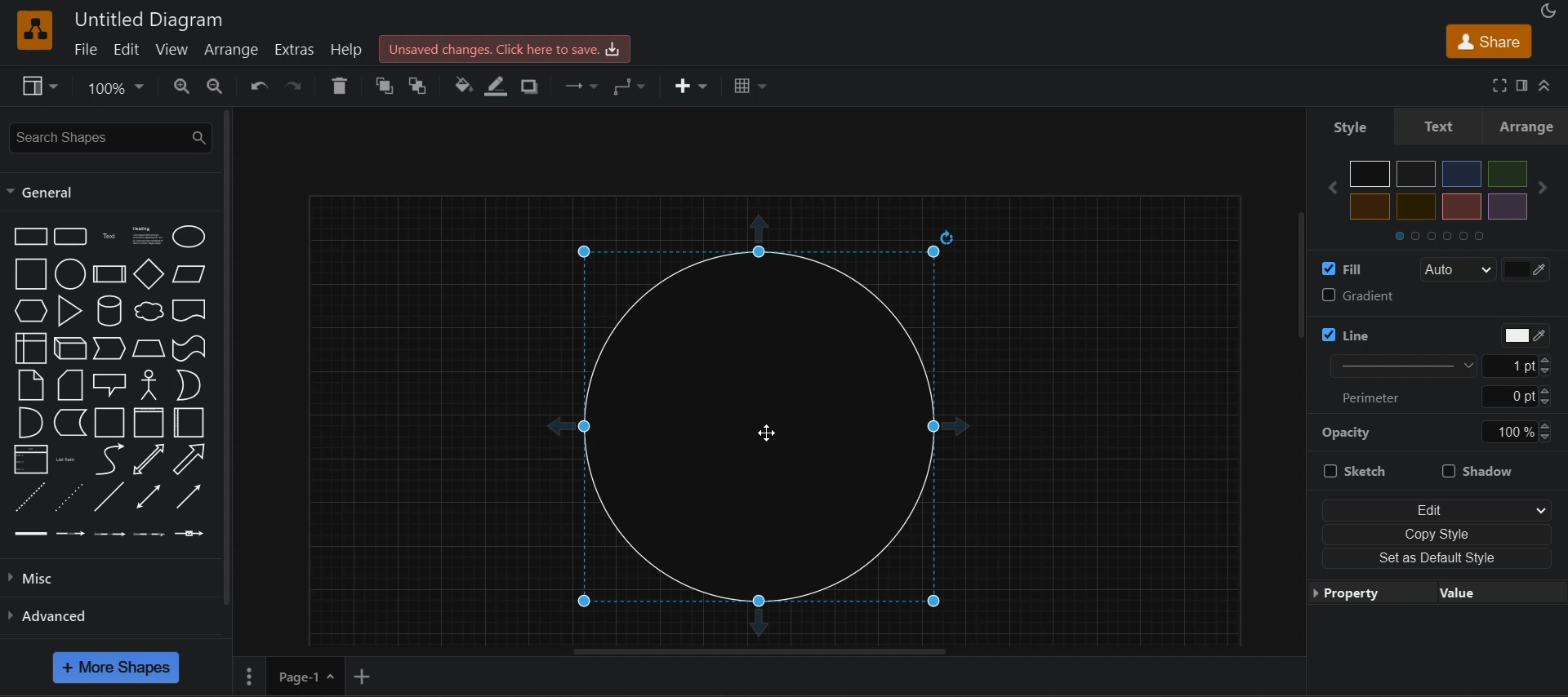  What do you see at coordinates (506, 48) in the screenshot?
I see `unsaved changes. click here to save` at bounding box center [506, 48].